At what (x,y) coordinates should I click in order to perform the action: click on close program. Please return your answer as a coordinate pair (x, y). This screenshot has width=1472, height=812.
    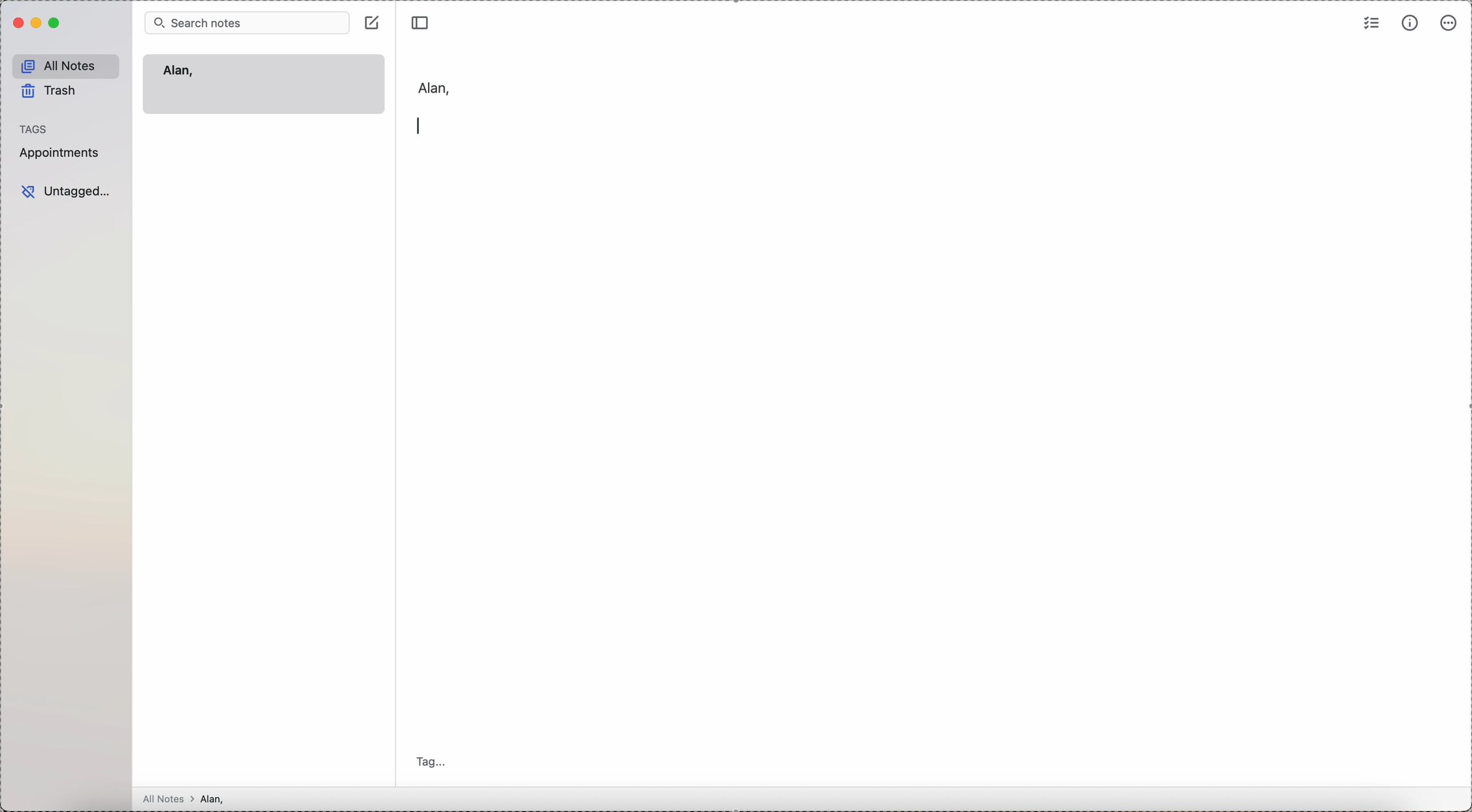
    Looking at the image, I should click on (17, 23).